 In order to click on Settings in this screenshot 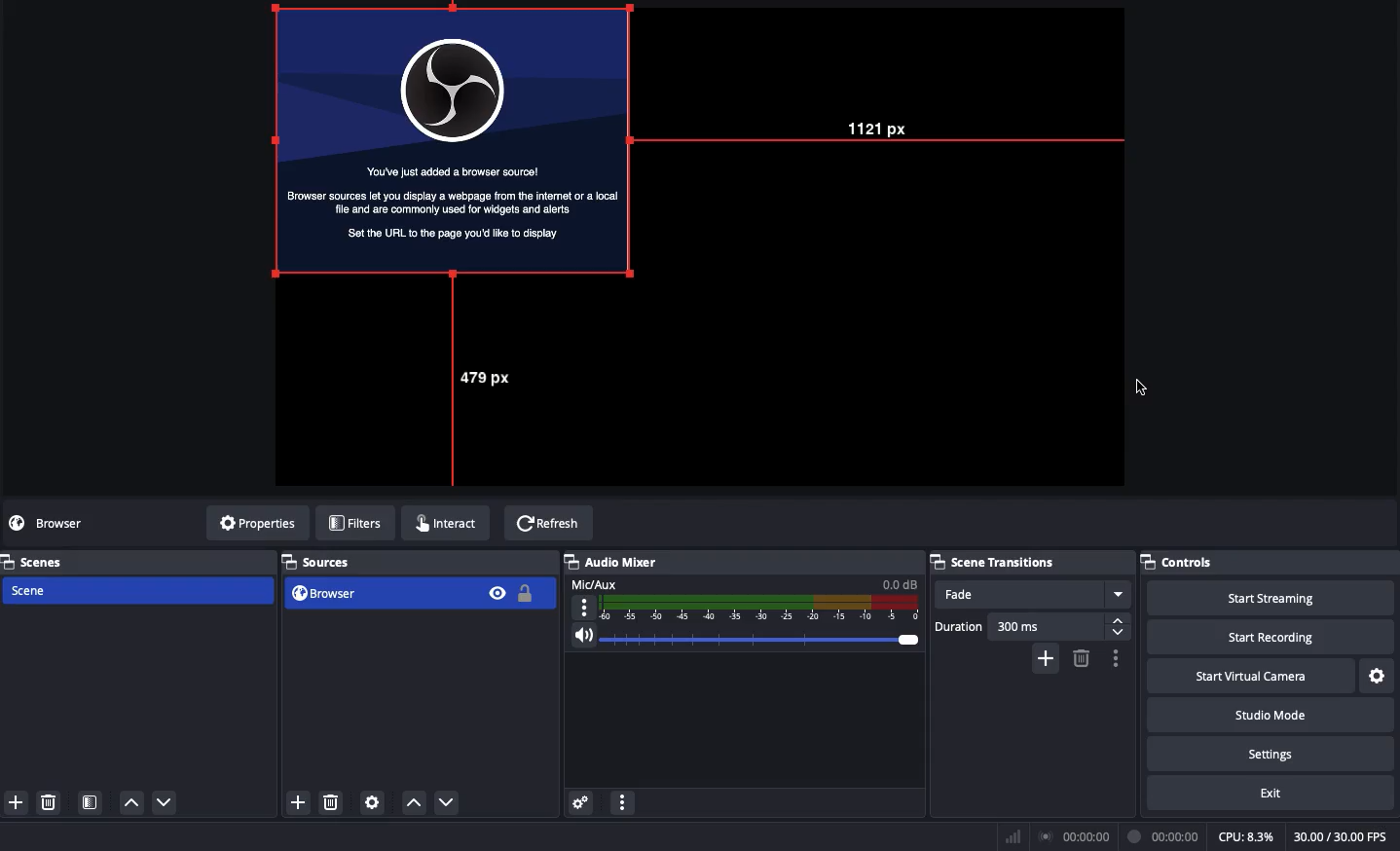, I will do `click(1380, 676)`.